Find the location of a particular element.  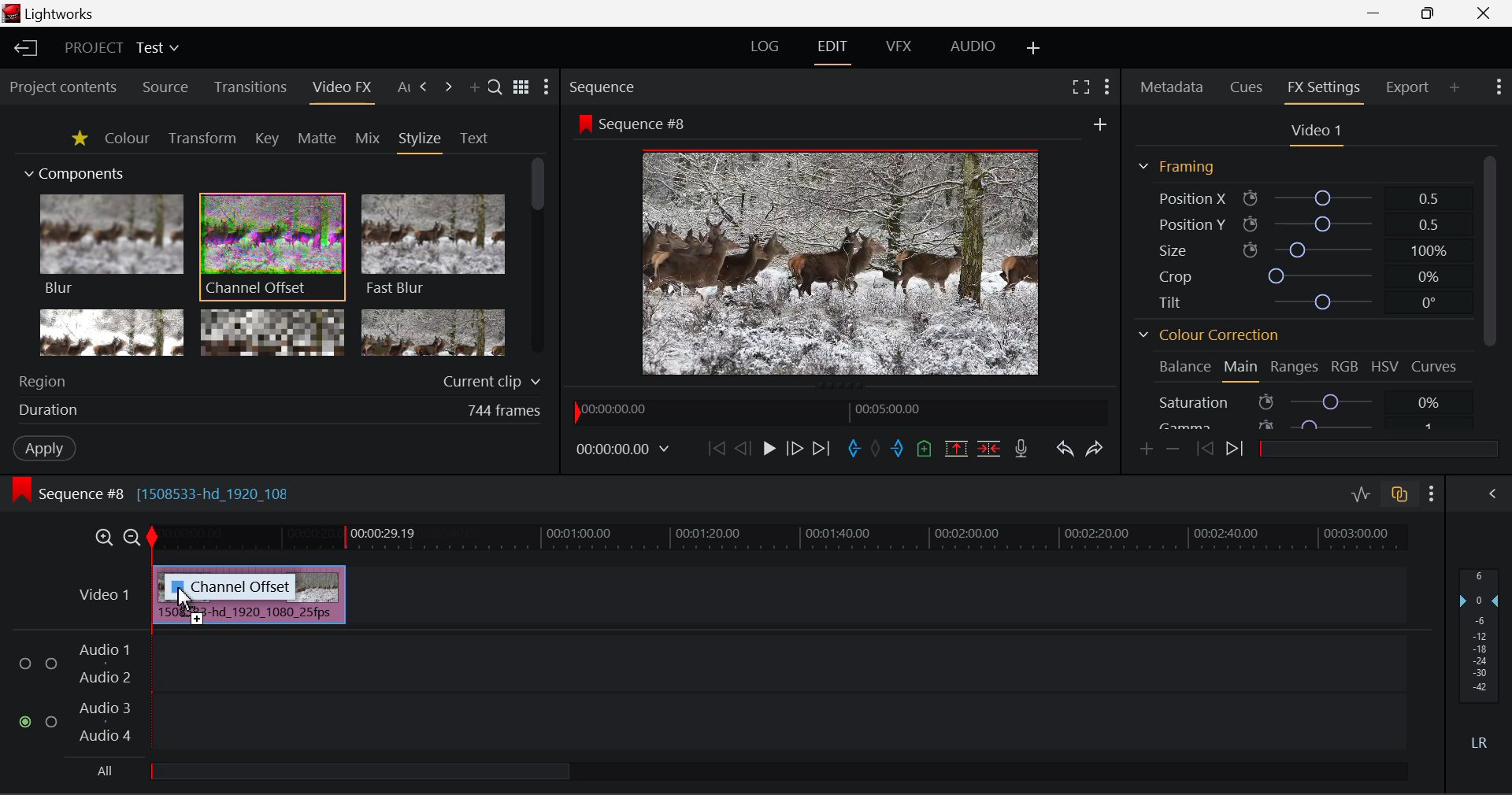

Framing Section is located at coordinates (1180, 166).